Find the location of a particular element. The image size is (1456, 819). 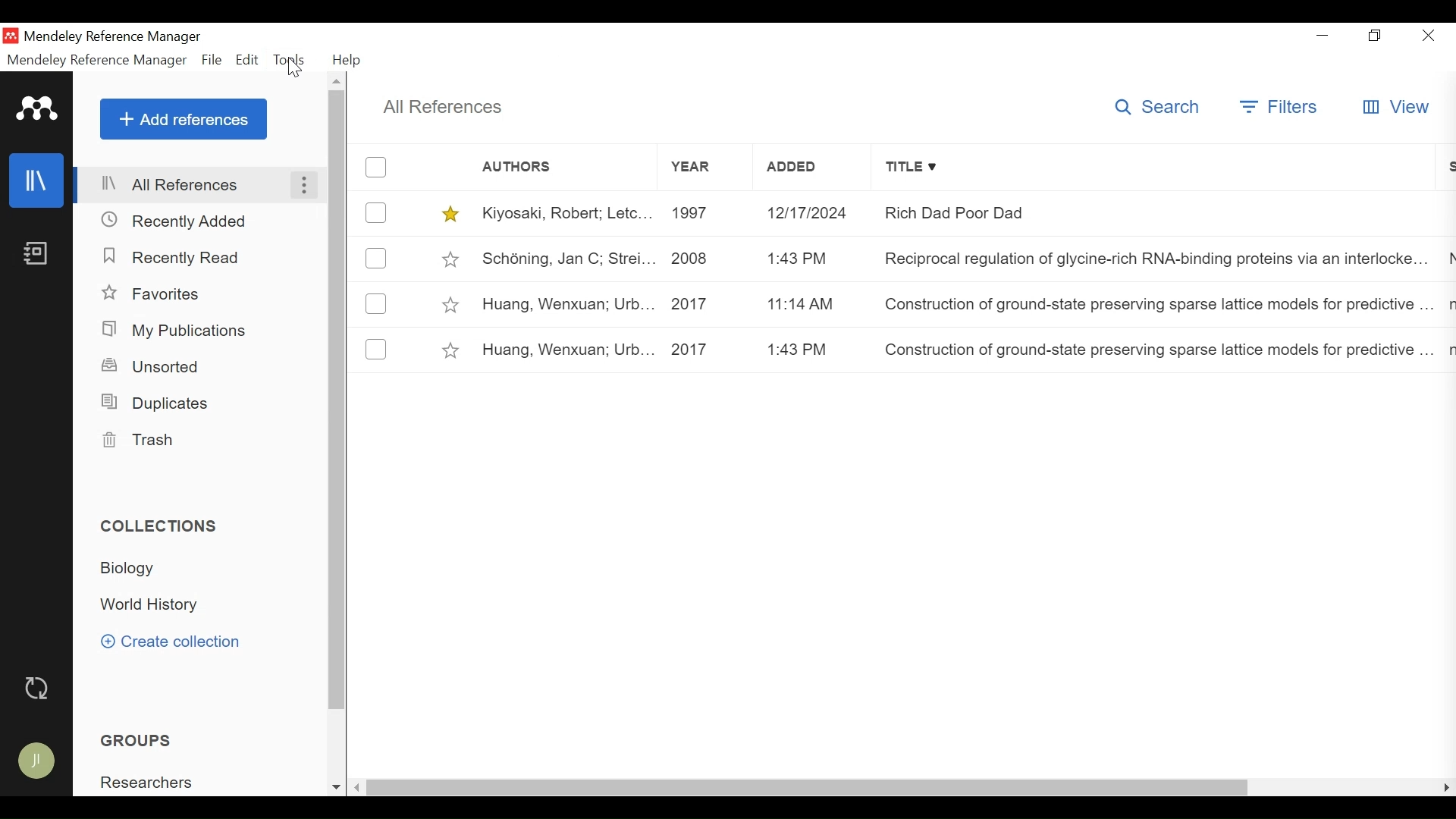

1:43pm is located at coordinates (808, 259).